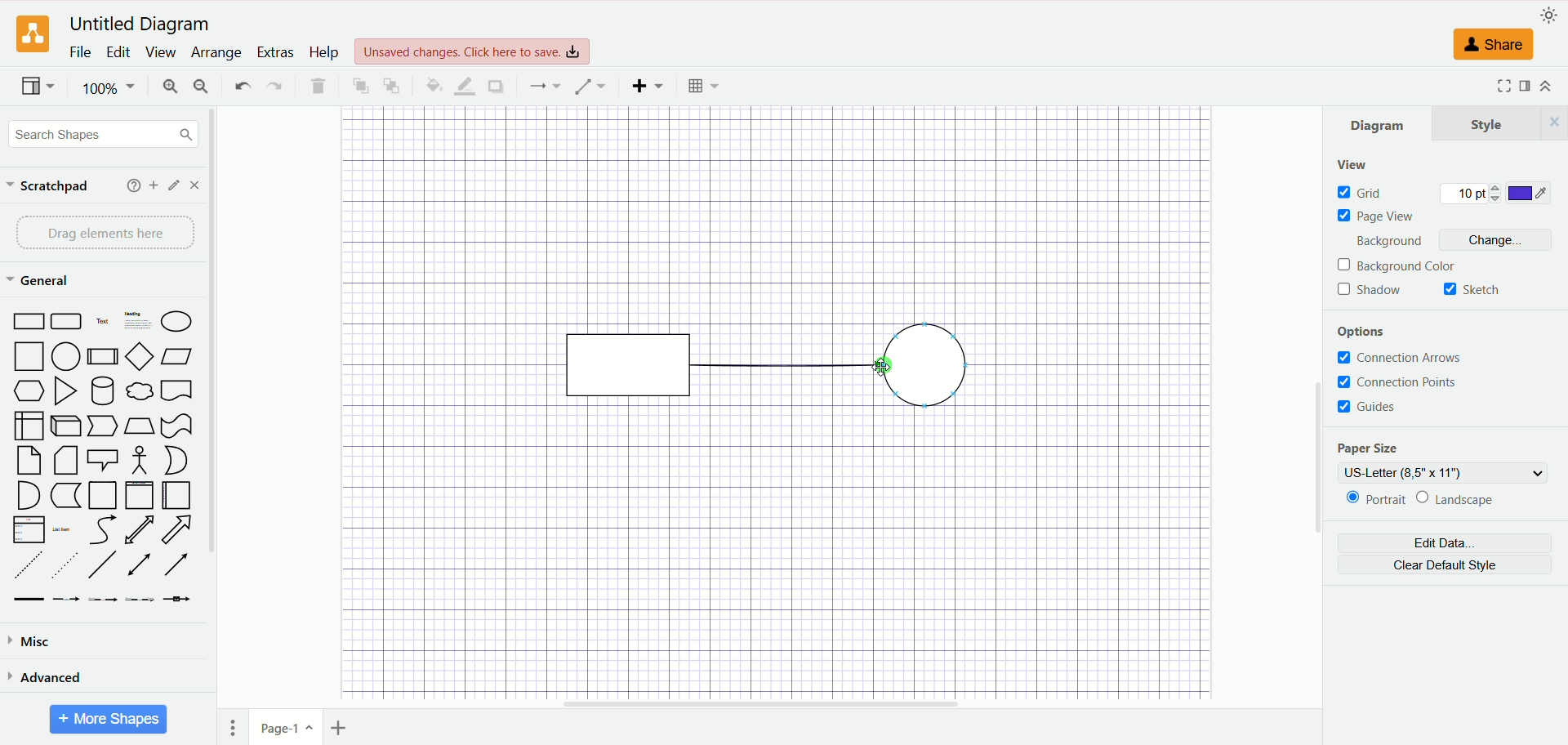 This screenshot has height=745, width=1568. What do you see at coordinates (67, 603) in the screenshot?
I see `Connector with Label` at bounding box center [67, 603].